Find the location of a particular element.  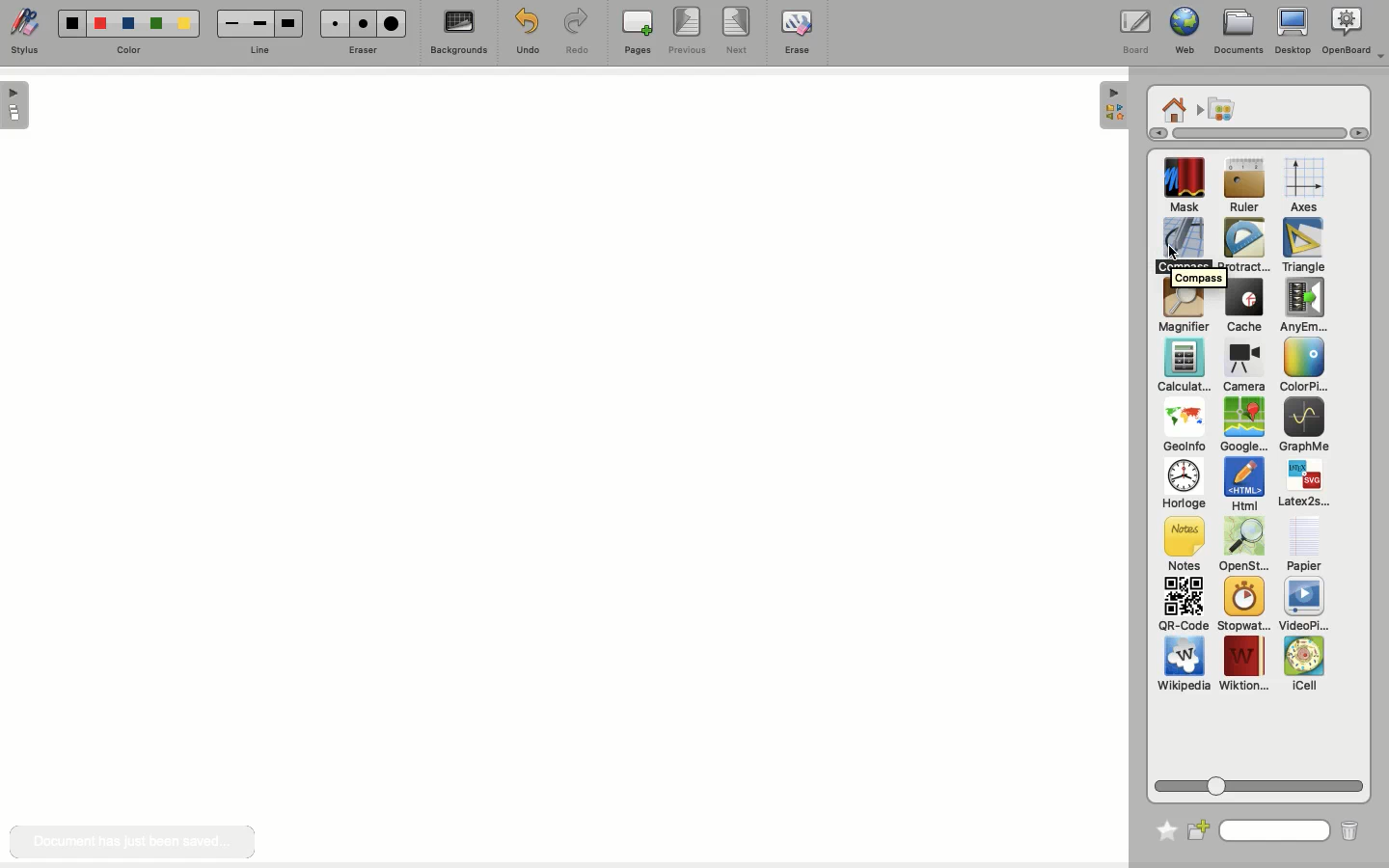

Stylus is located at coordinates (29, 33).